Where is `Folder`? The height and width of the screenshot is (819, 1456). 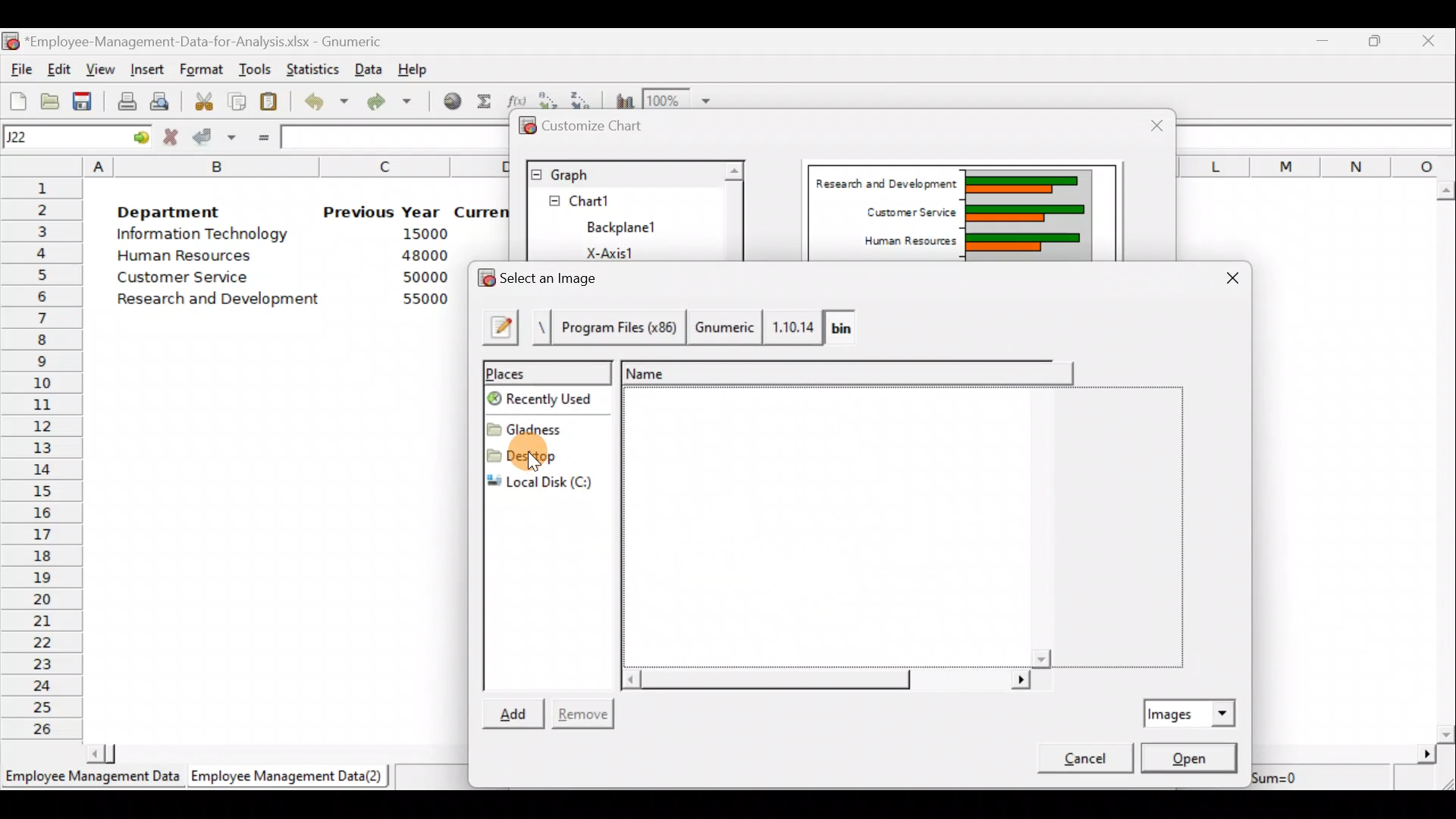
Folder is located at coordinates (542, 426).